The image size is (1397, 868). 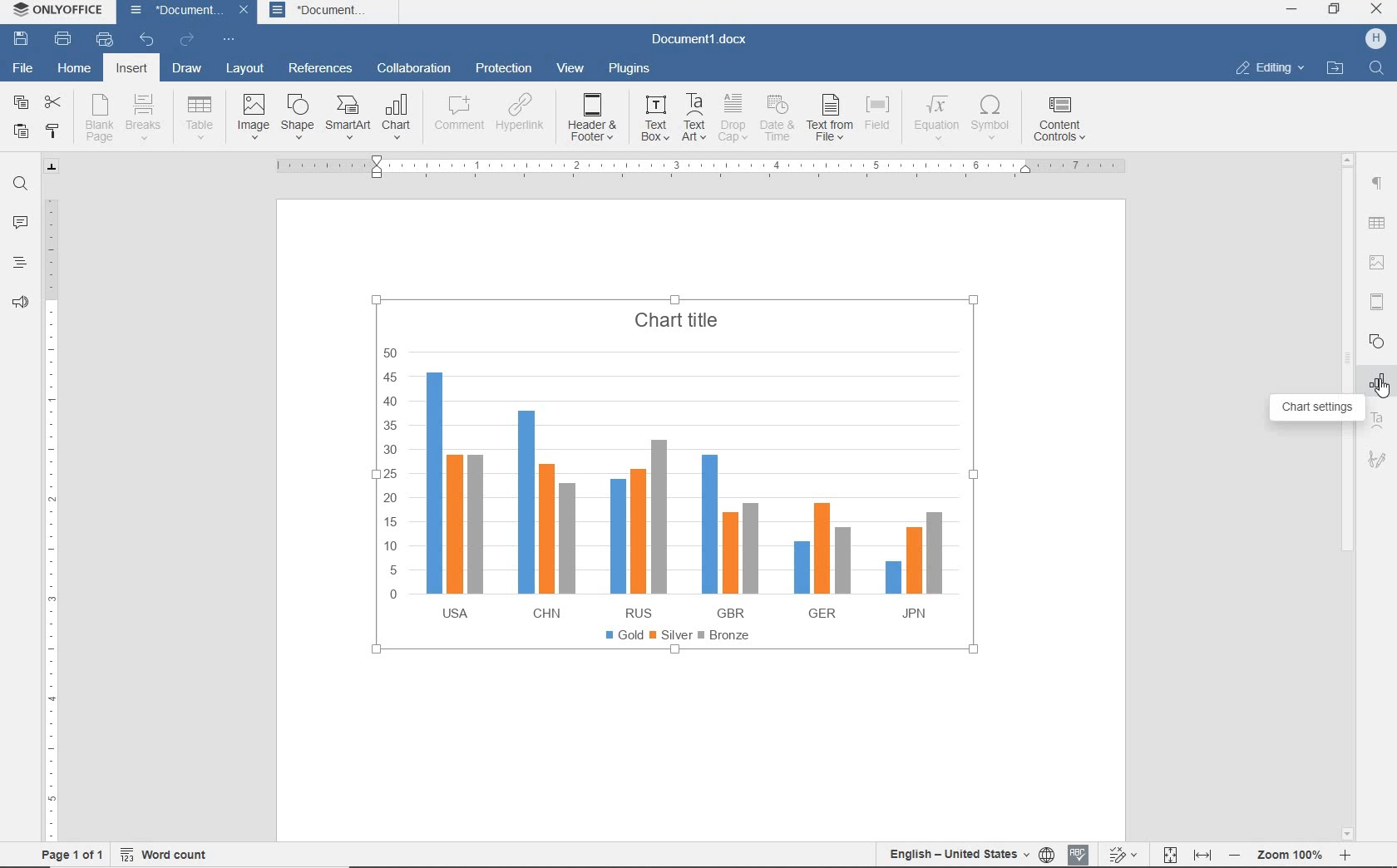 What do you see at coordinates (321, 70) in the screenshot?
I see `references` at bounding box center [321, 70].